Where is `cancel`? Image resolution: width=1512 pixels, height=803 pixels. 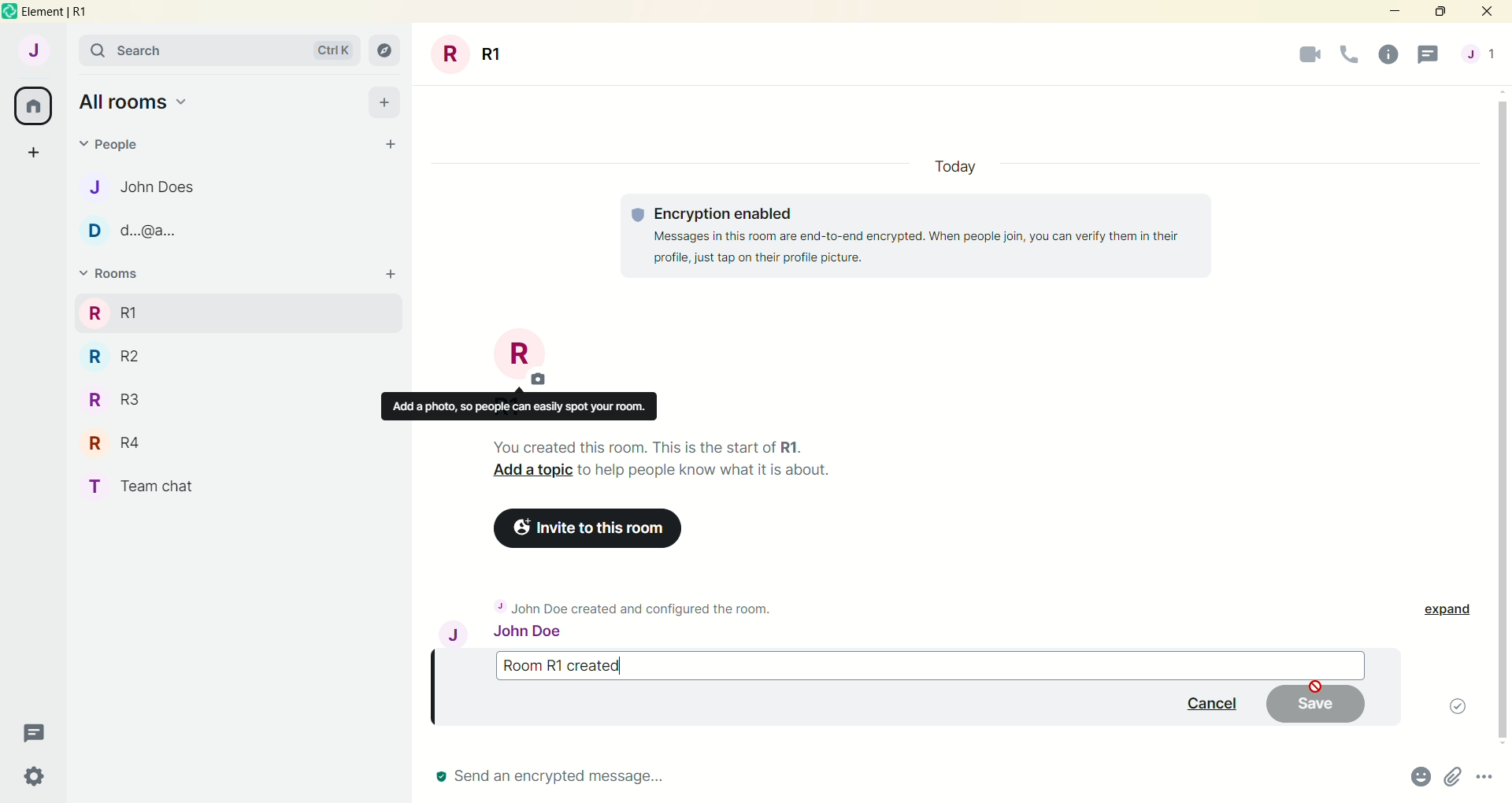
cancel is located at coordinates (1208, 701).